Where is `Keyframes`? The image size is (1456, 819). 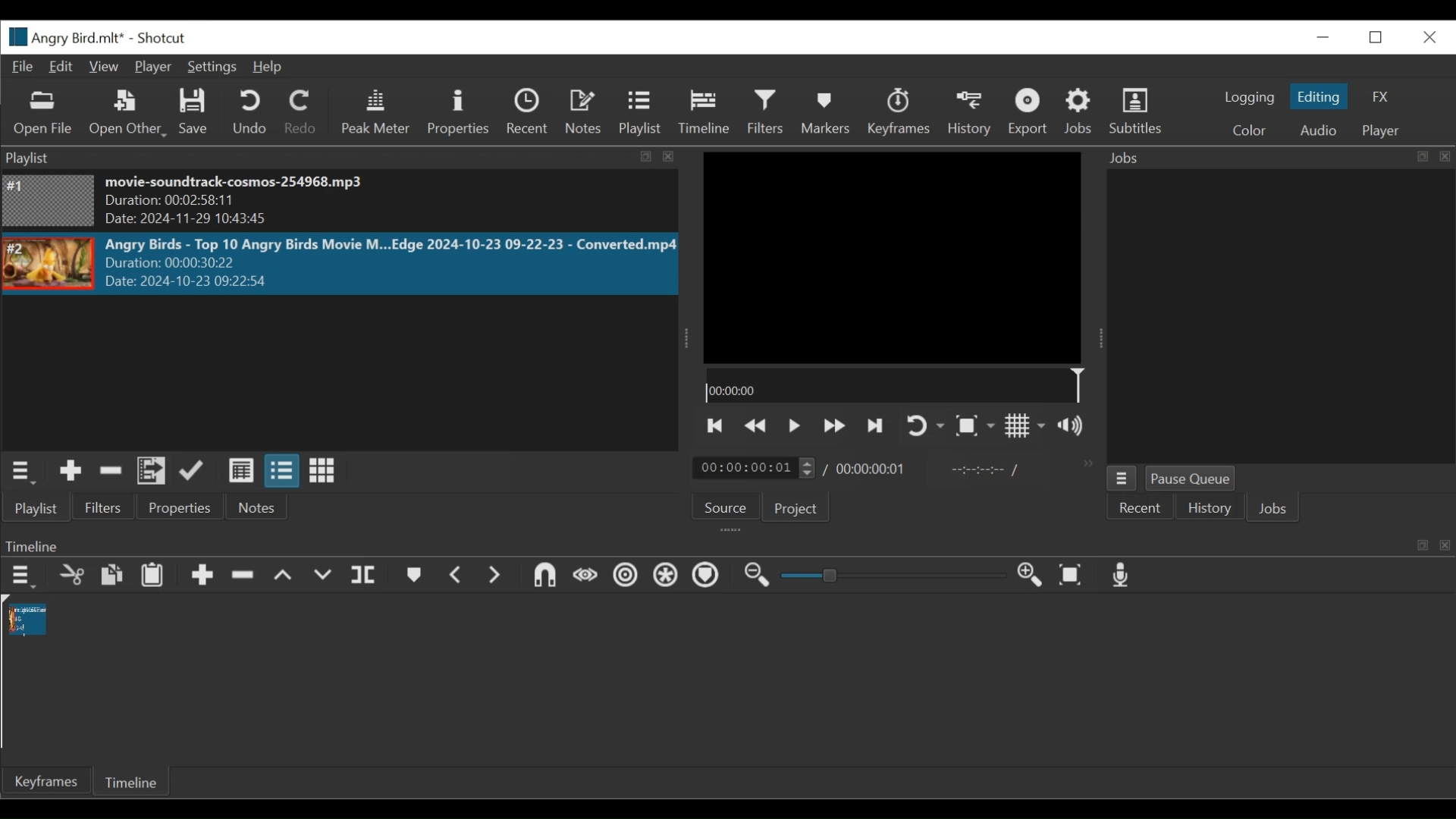
Keyframes is located at coordinates (897, 111).